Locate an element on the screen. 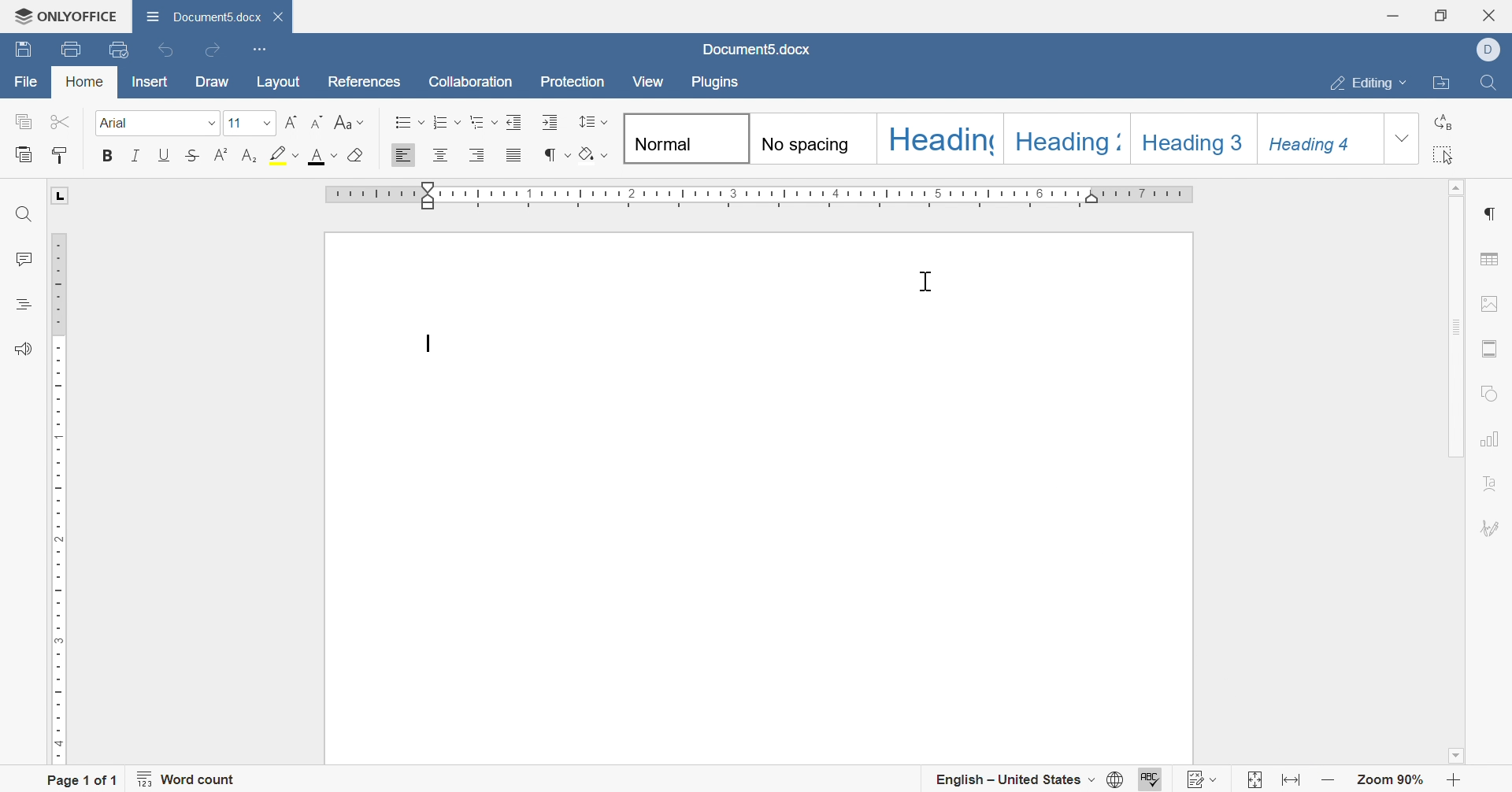  cut is located at coordinates (65, 122).